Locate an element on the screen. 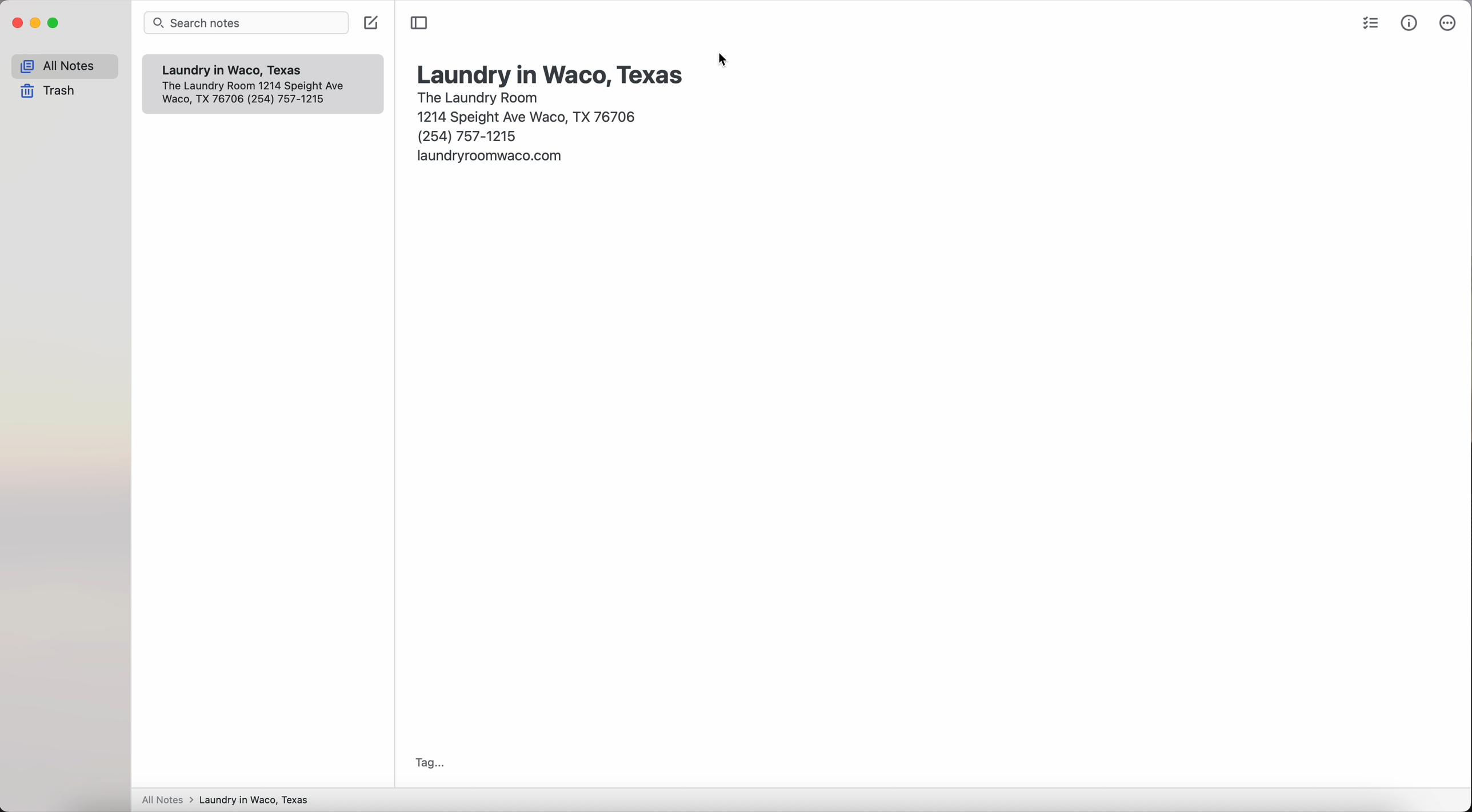  click on create note is located at coordinates (373, 23).